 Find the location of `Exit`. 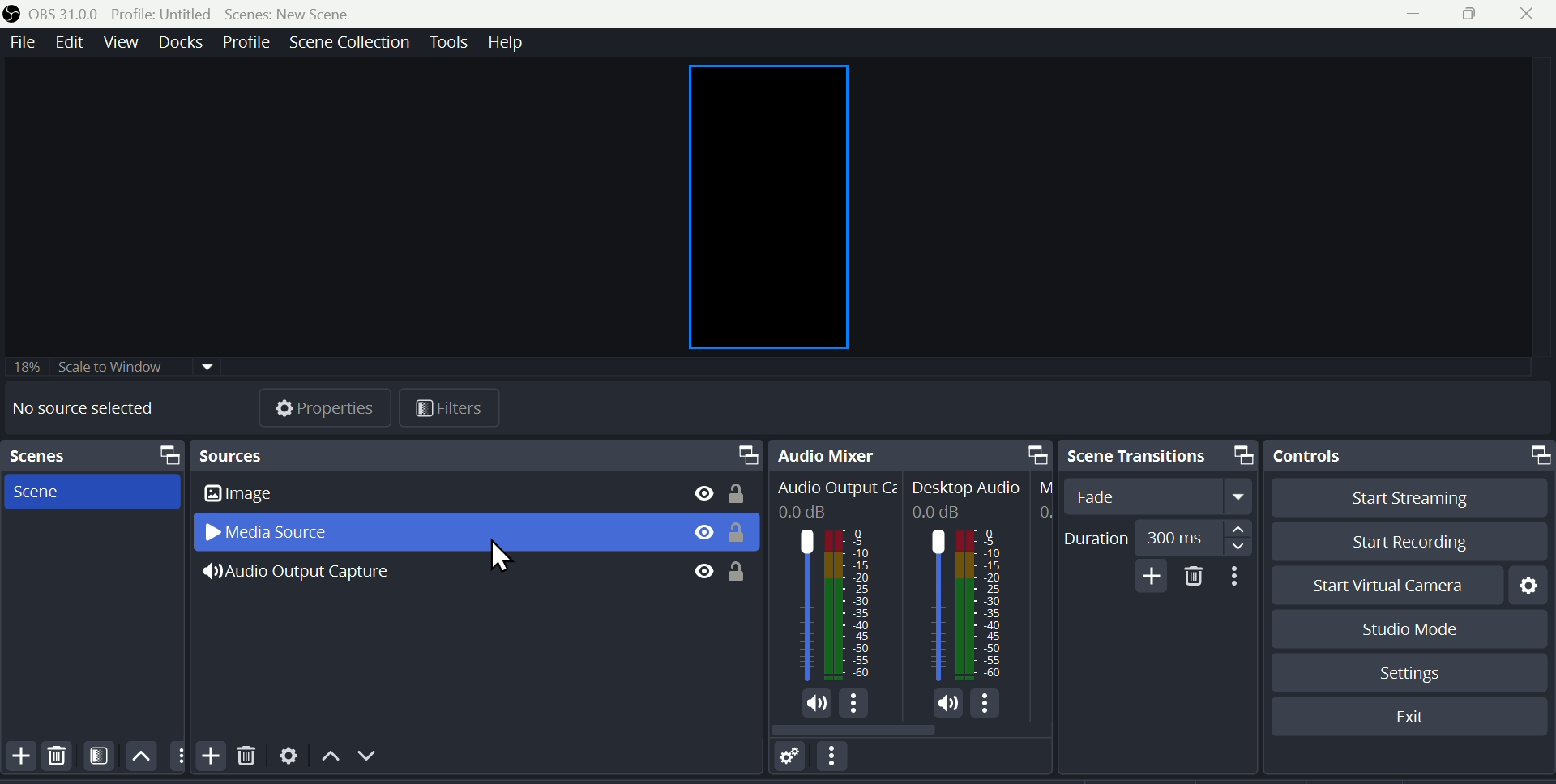

Exit is located at coordinates (1410, 716).